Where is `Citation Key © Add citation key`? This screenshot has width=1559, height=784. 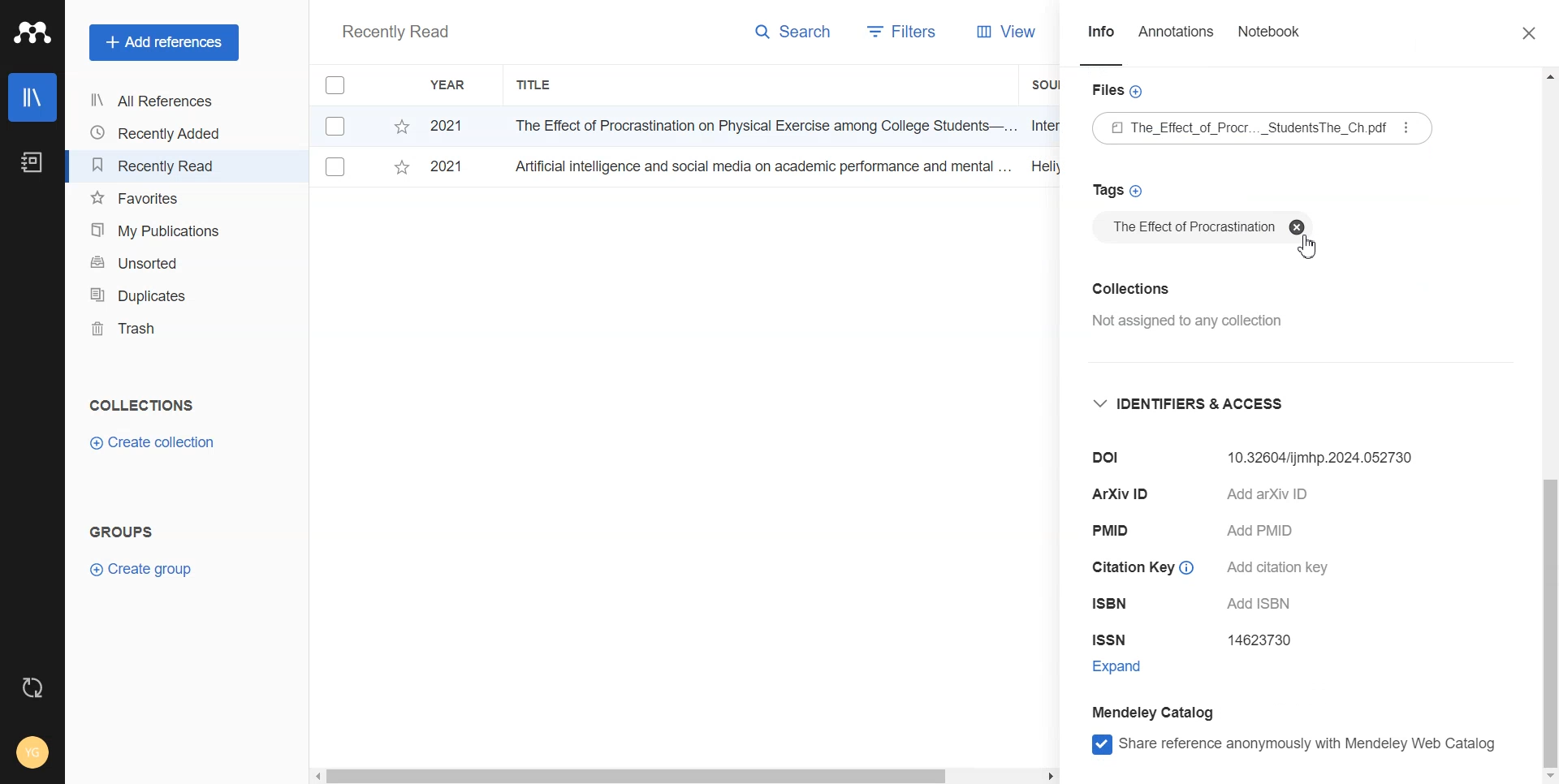
Citation Key © Add citation key is located at coordinates (1211, 571).